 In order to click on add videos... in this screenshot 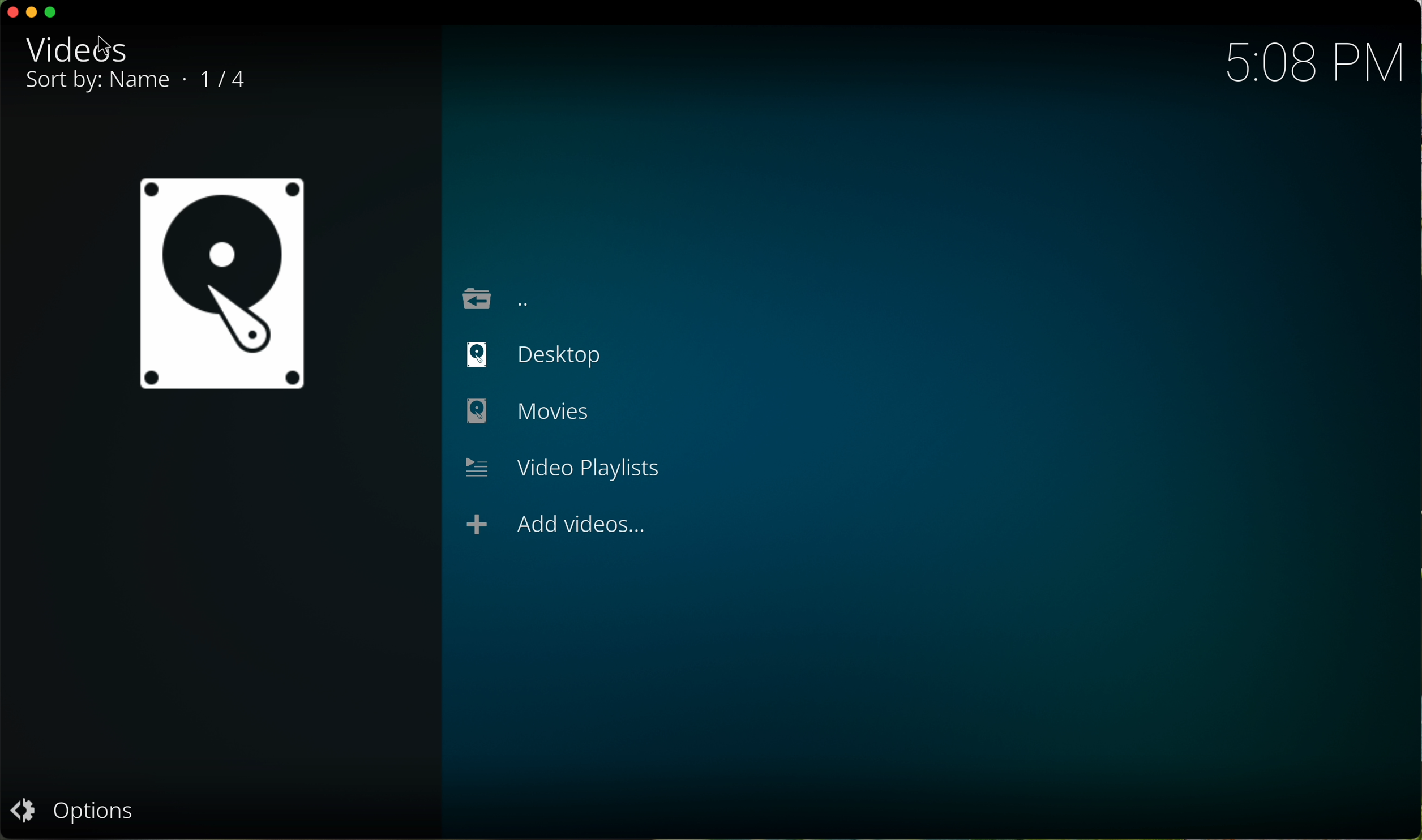, I will do `click(552, 525)`.